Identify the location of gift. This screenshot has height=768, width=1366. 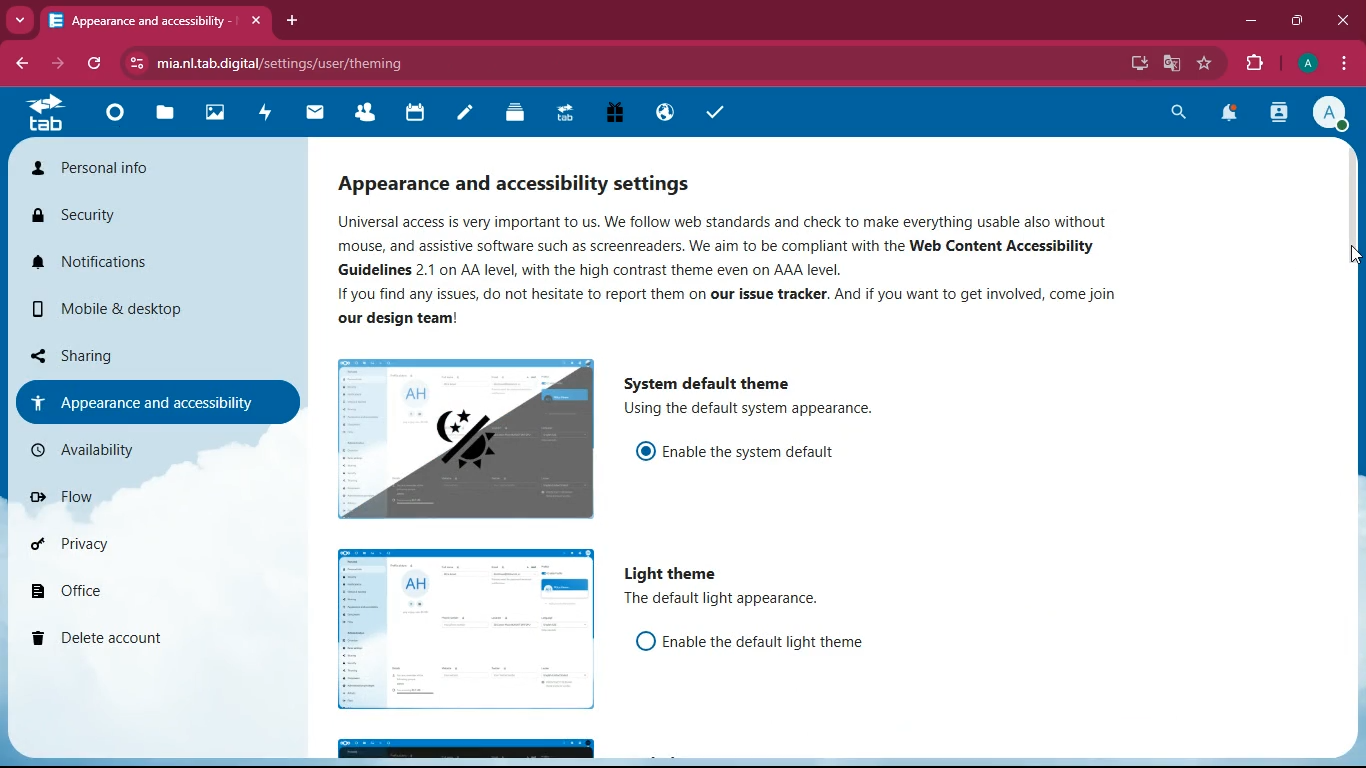
(609, 112).